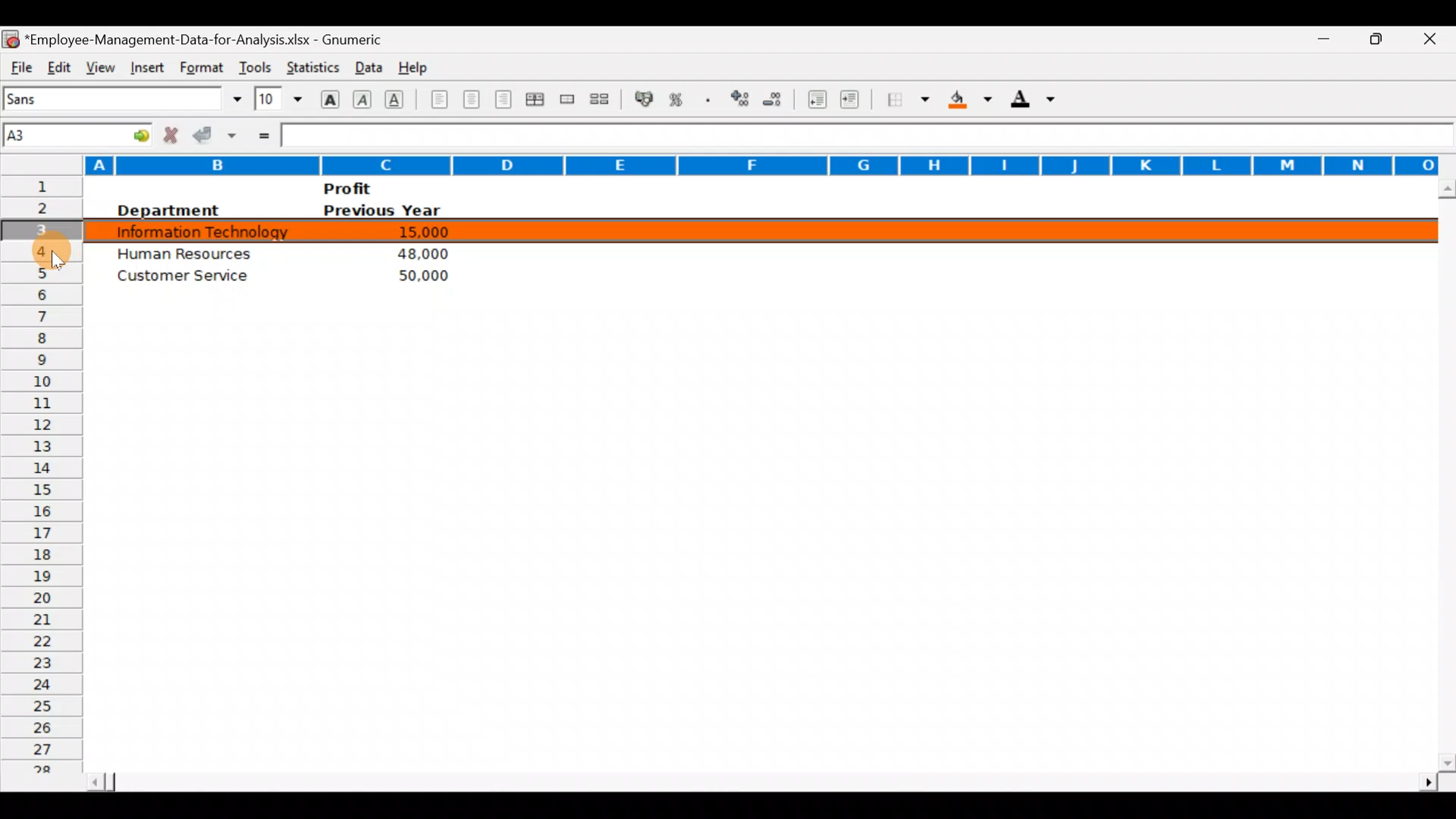  Describe the element at coordinates (262, 134) in the screenshot. I see `Enter formula` at that location.